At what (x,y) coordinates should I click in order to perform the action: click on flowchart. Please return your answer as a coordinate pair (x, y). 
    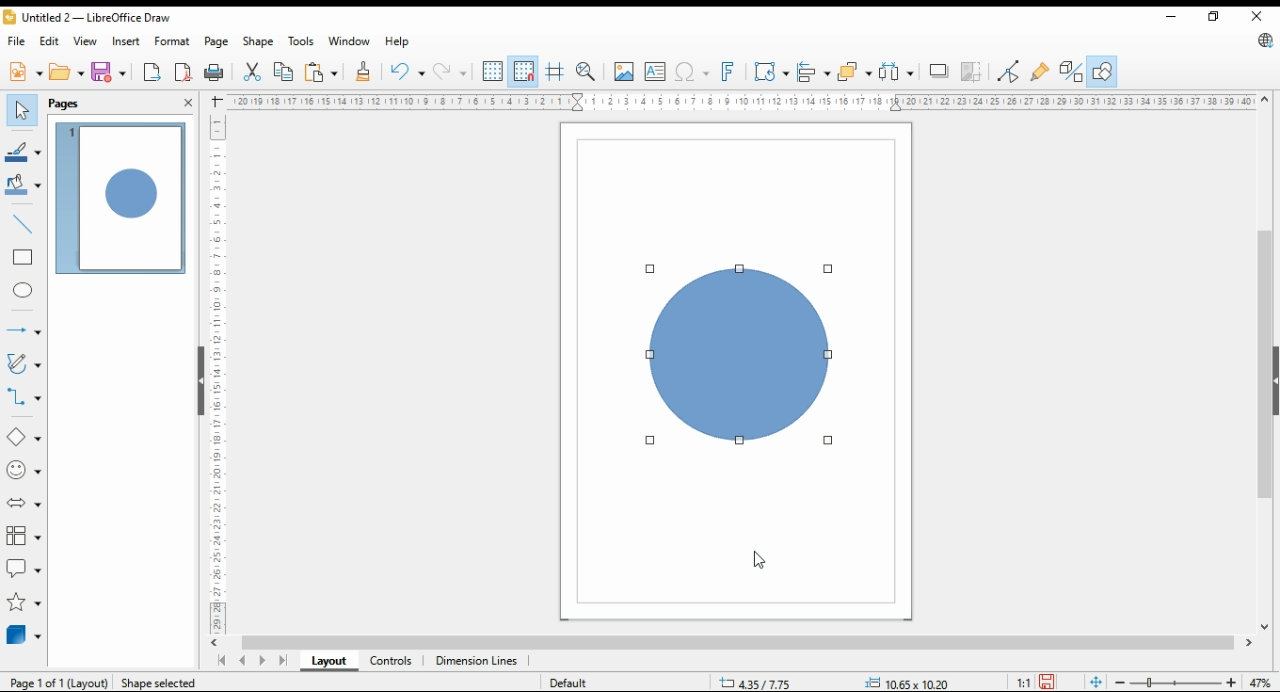
    Looking at the image, I should click on (23, 536).